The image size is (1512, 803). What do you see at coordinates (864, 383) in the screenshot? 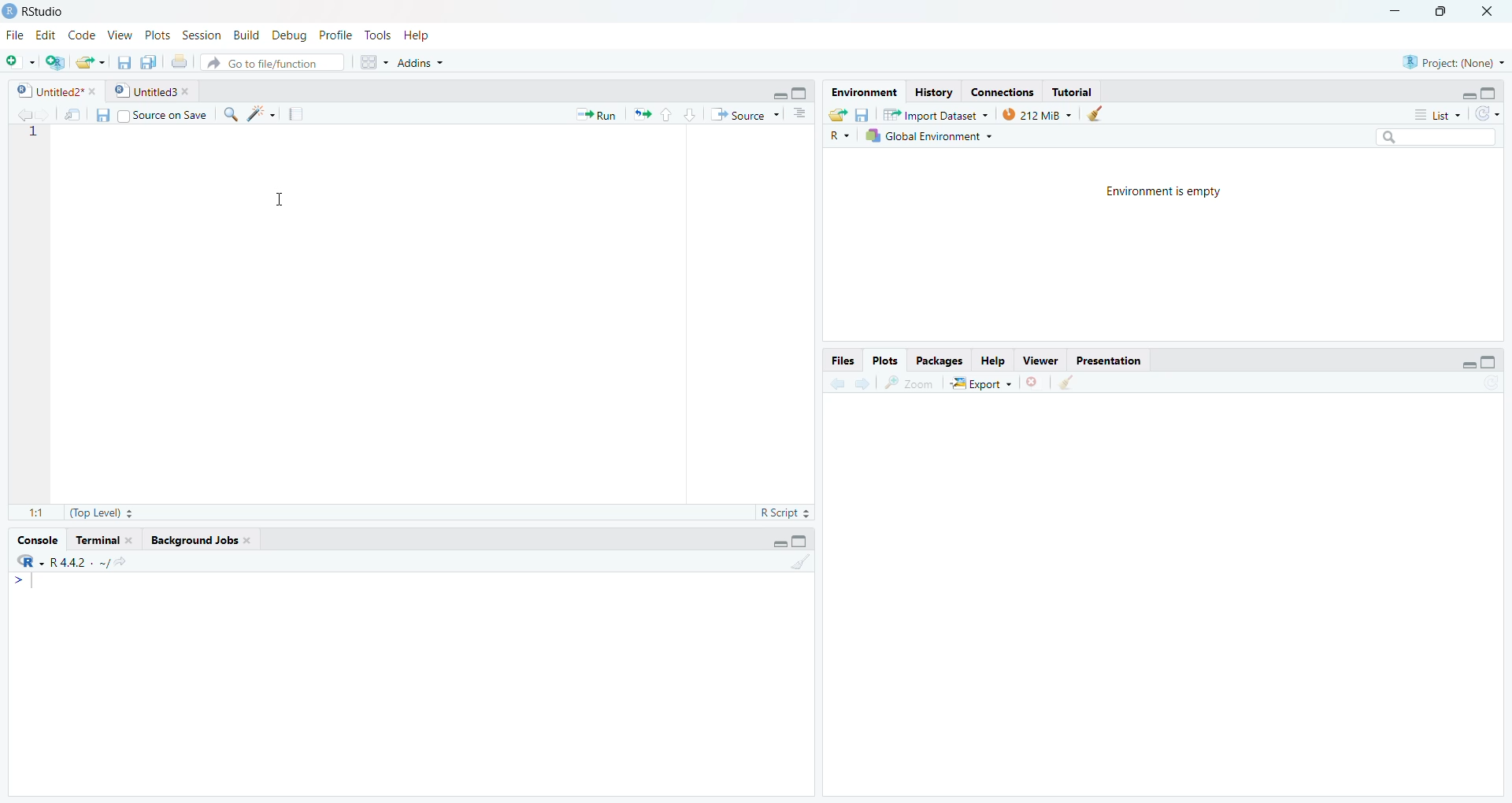
I see `next` at bounding box center [864, 383].